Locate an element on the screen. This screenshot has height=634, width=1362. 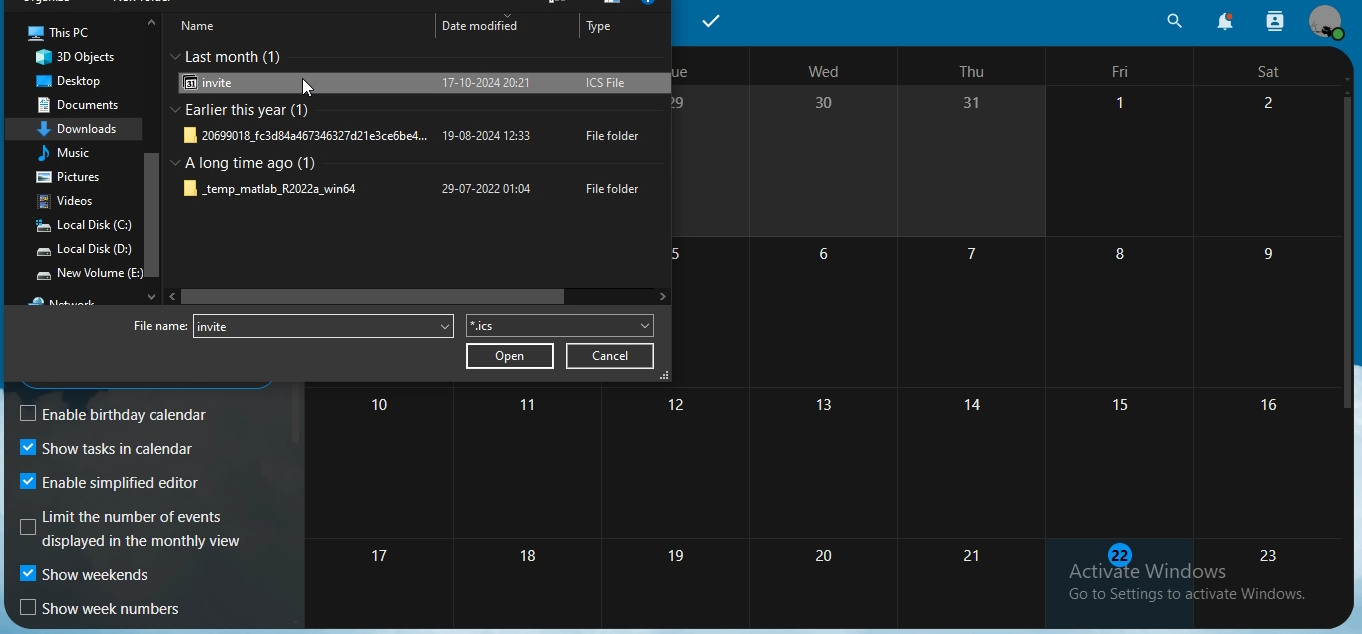
view profile is located at coordinates (1325, 22).